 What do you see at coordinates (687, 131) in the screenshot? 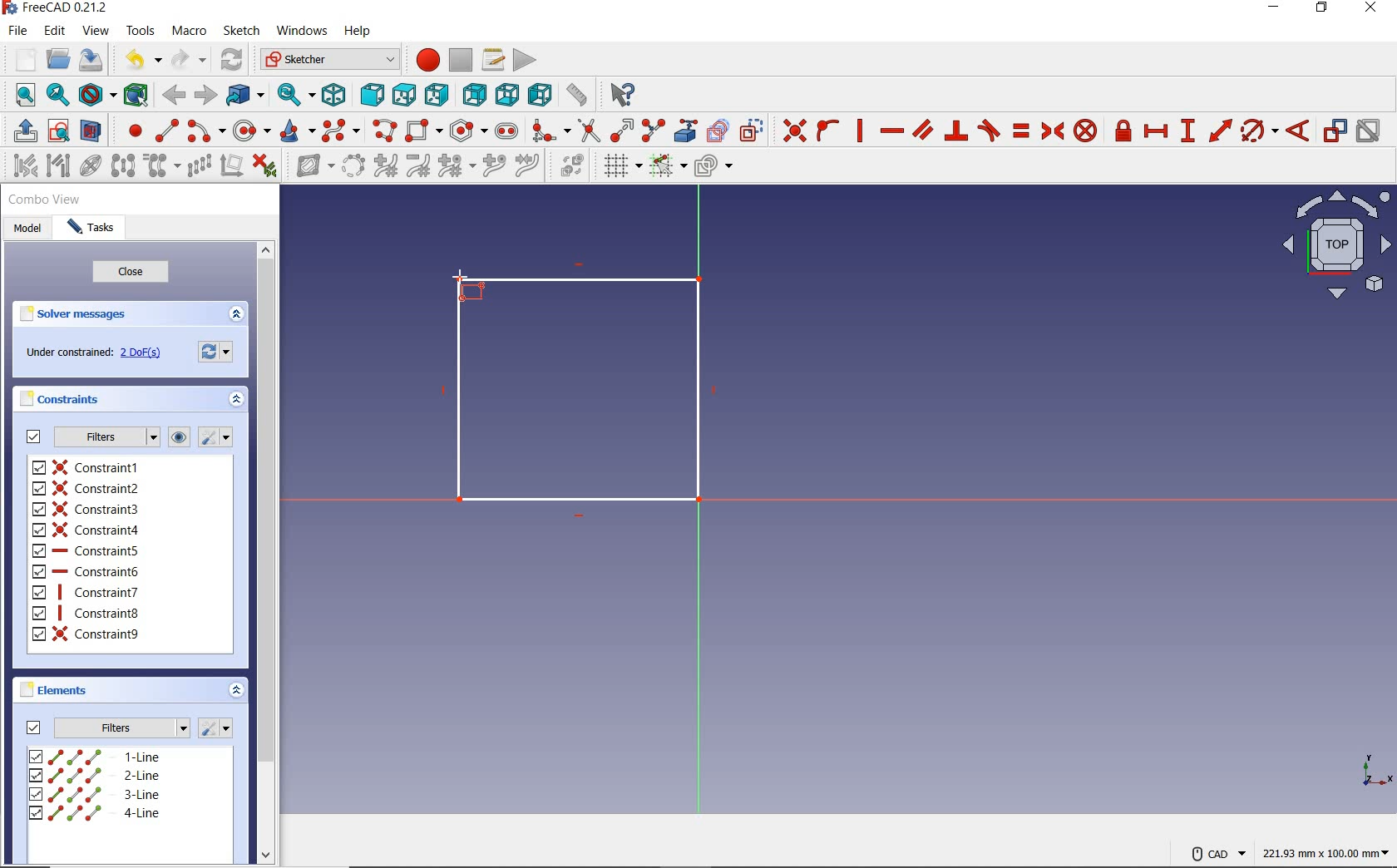
I see `create external geometry` at bounding box center [687, 131].